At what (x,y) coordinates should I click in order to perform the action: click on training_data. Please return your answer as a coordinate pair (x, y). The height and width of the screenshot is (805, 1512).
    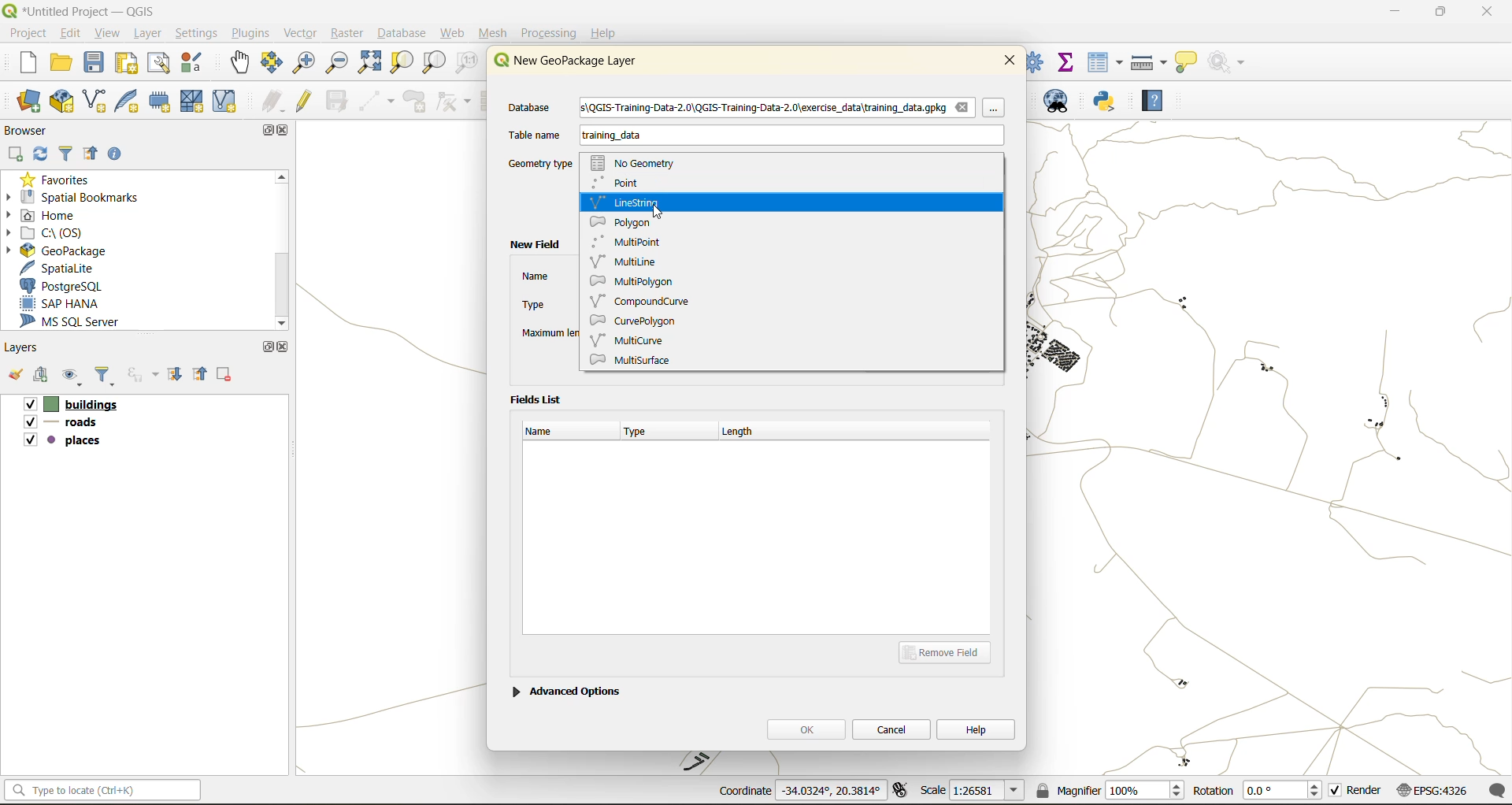
    Looking at the image, I should click on (612, 138).